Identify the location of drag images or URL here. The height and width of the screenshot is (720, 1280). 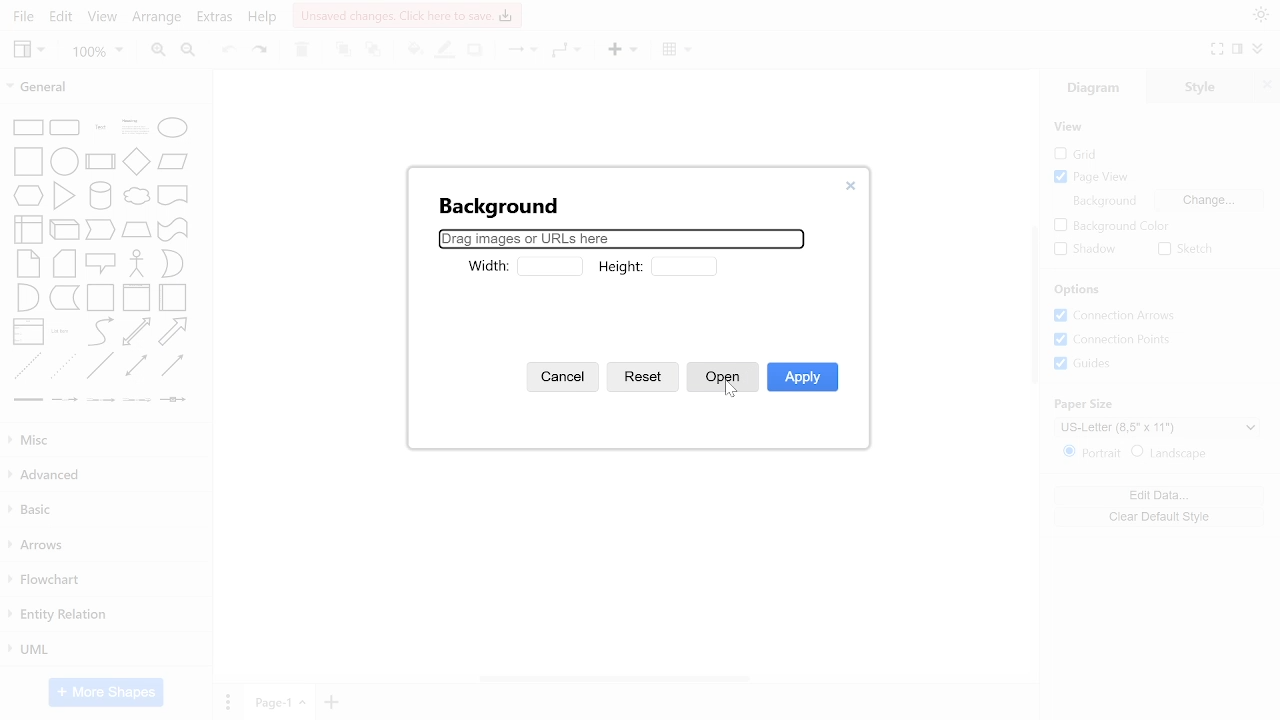
(621, 238).